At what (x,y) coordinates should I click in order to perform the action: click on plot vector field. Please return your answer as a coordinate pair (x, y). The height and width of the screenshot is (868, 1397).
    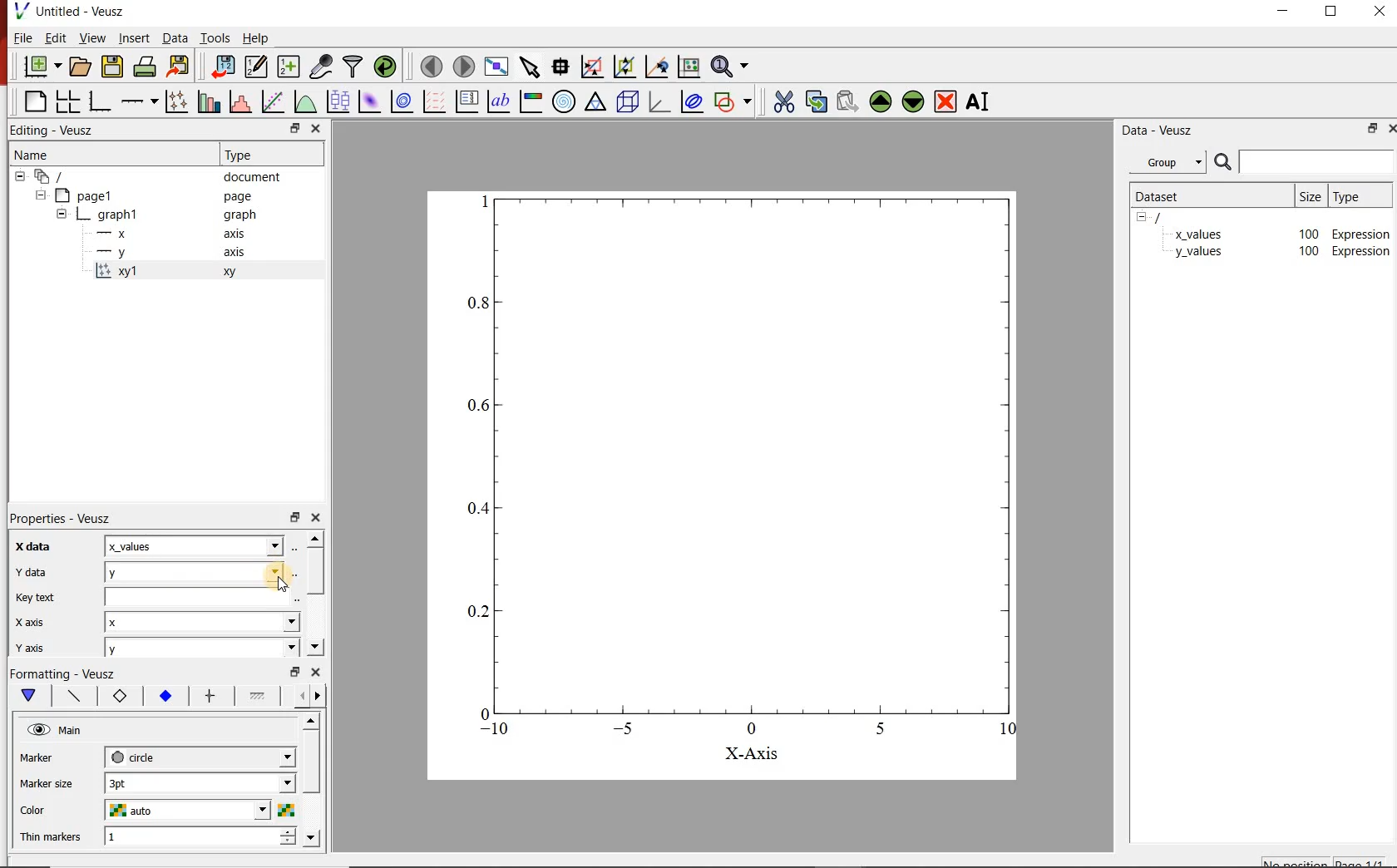
    Looking at the image, I should click on (434, 101).